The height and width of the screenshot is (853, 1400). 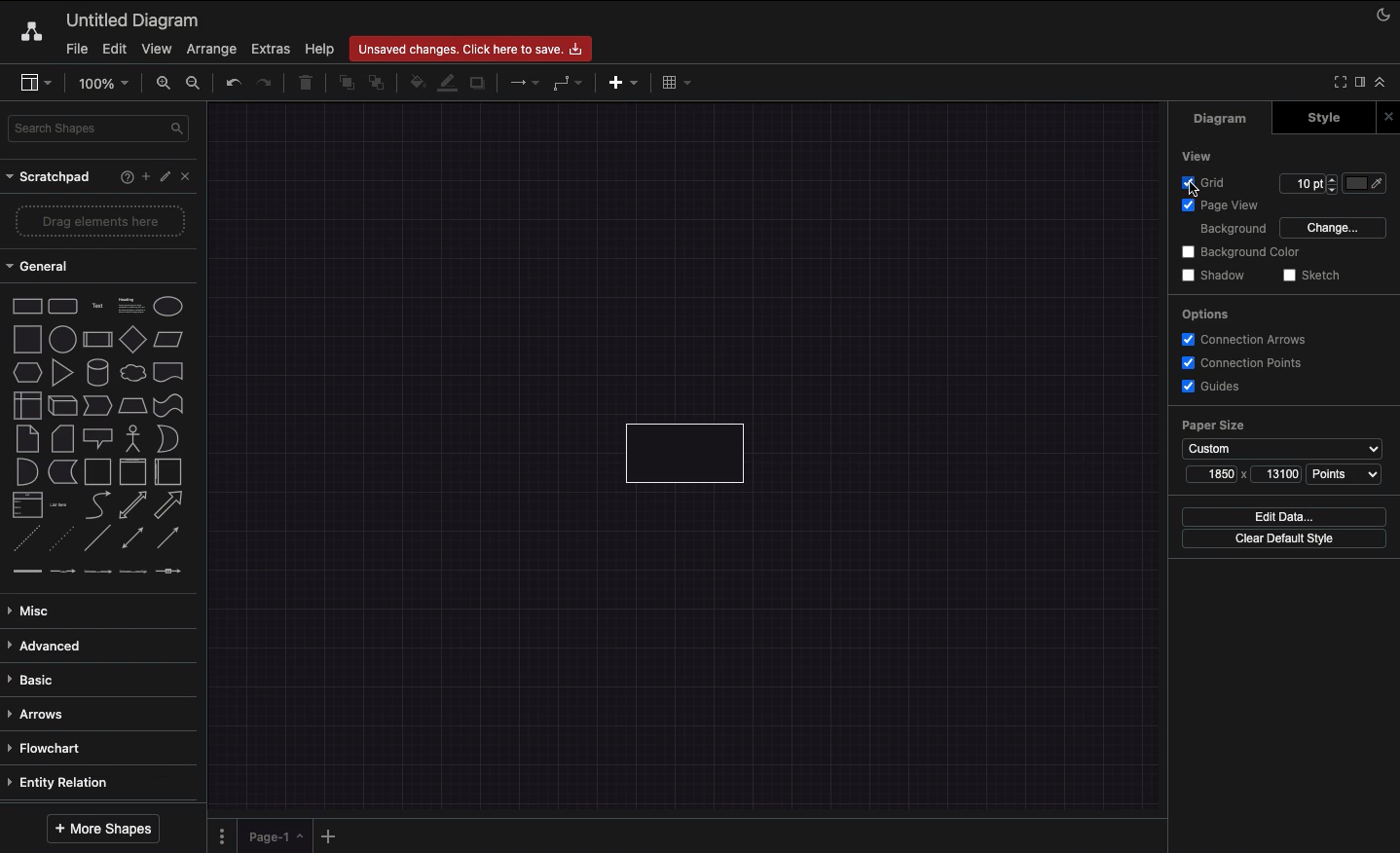 I want to click on Pages, so click(x=220, y=836).